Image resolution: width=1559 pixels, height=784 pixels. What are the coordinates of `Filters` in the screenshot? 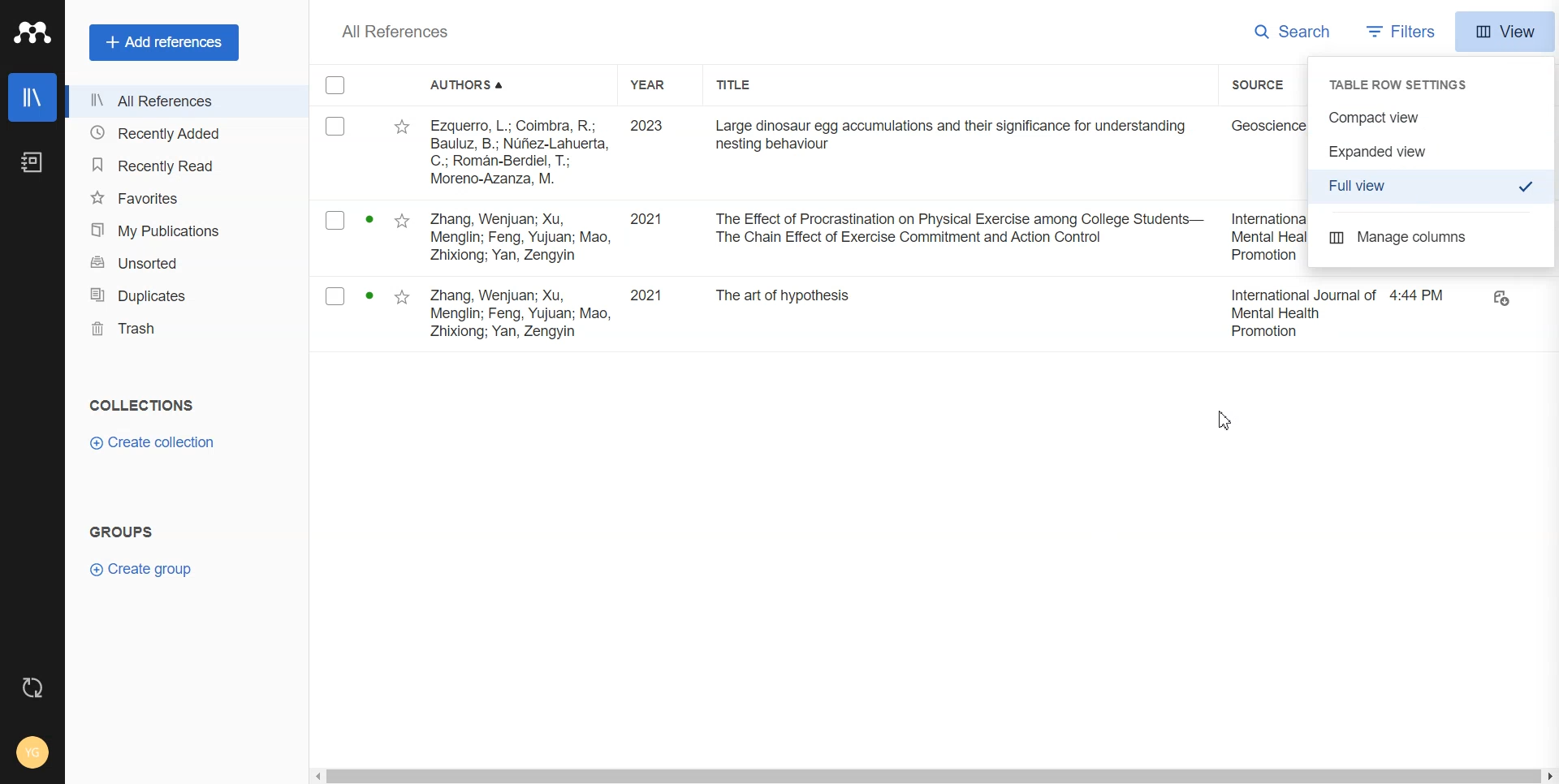 It's located at (1404, 31).